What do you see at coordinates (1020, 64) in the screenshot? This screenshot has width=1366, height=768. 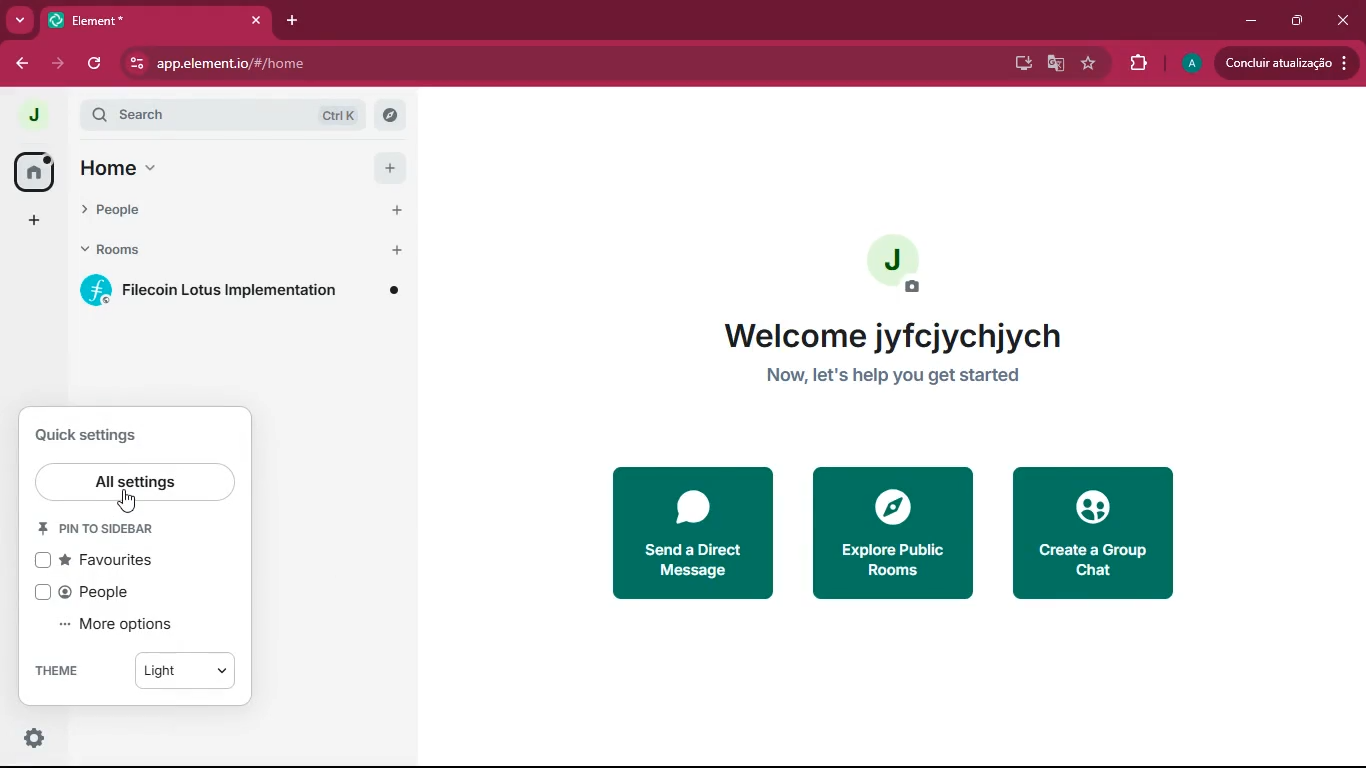 I see `desktop` at bounding box center [1020, 64].